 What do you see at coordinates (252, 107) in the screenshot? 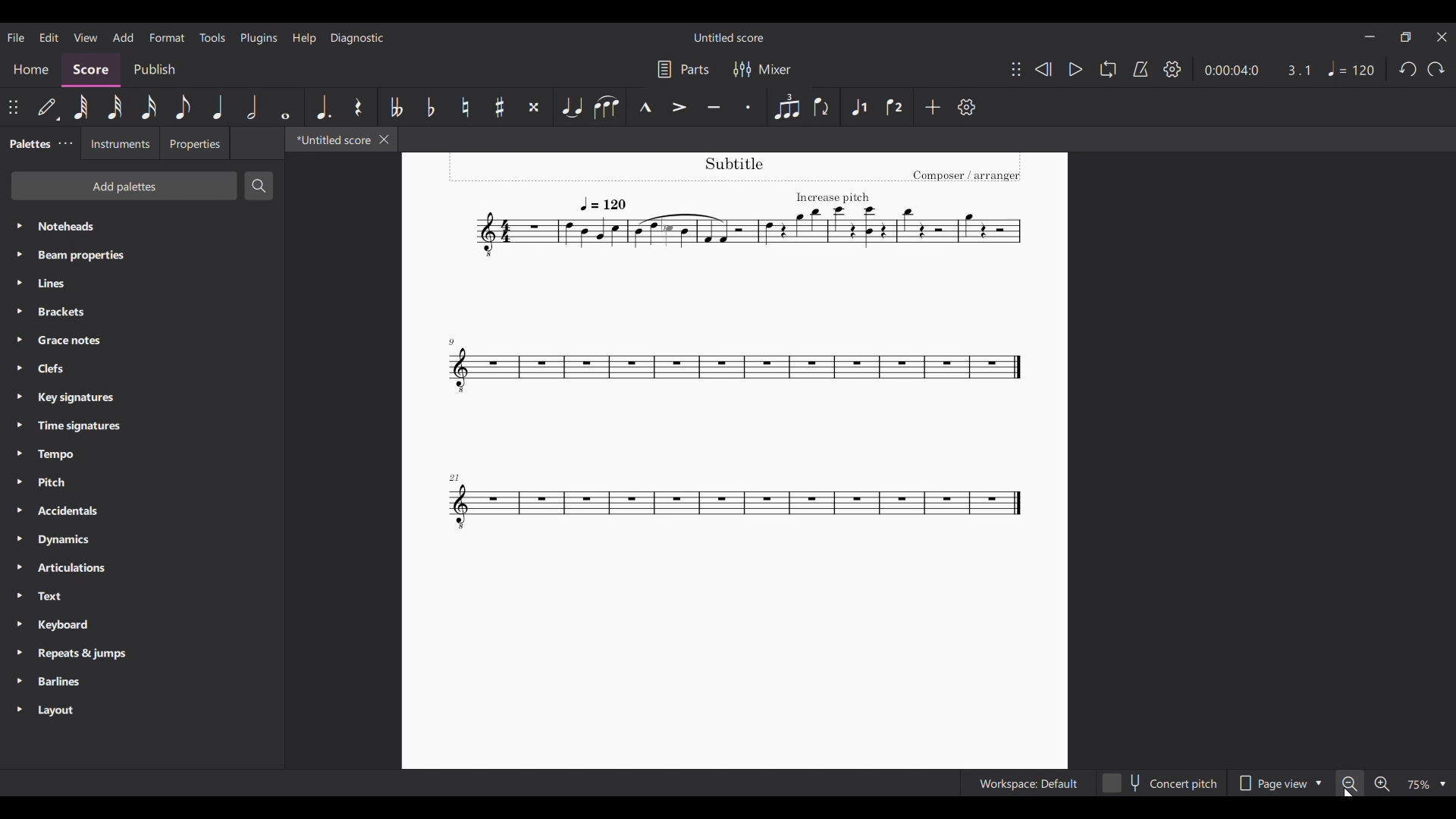
I see `Half note` at bounding box center [252, 107].